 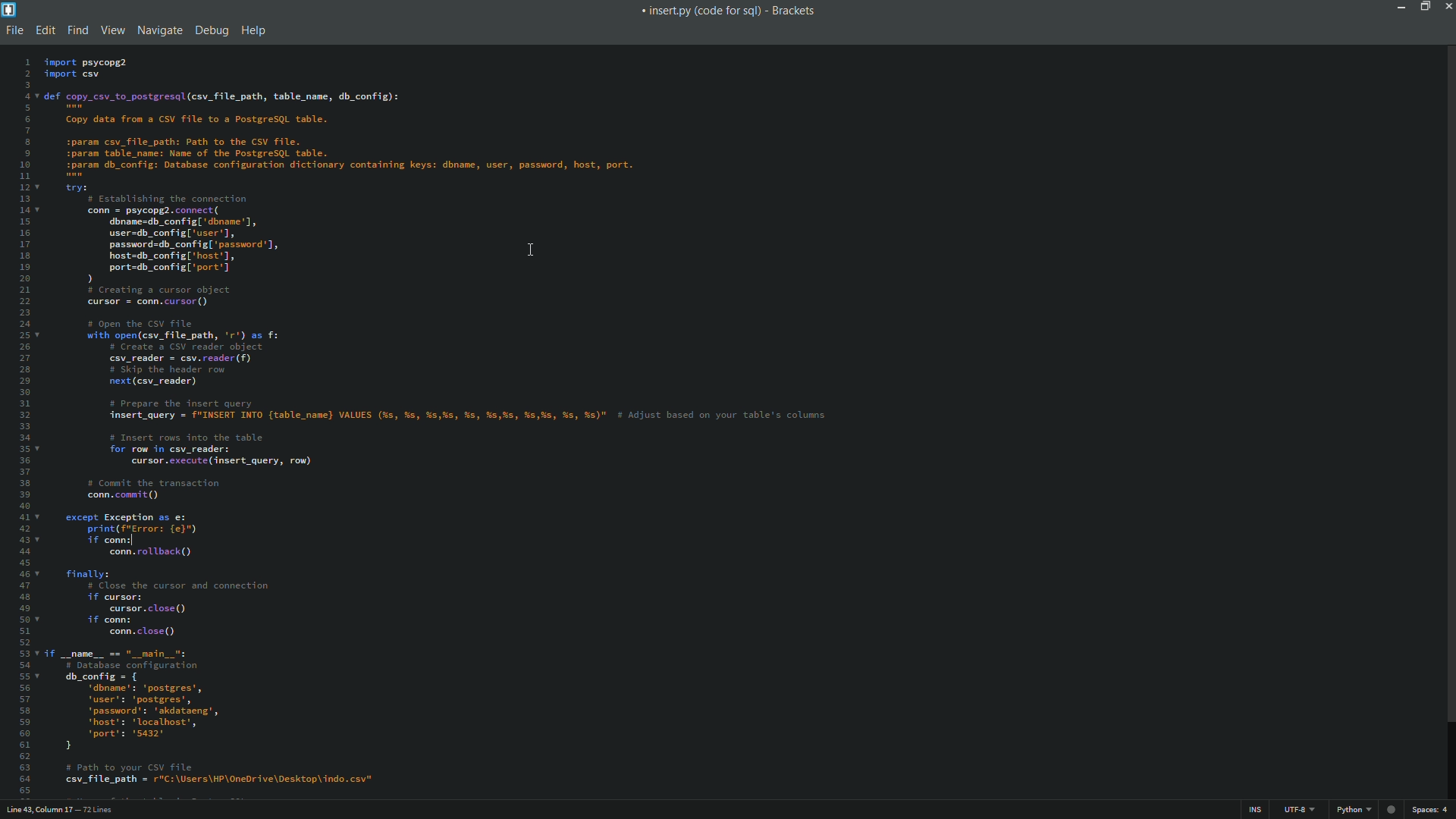 I want to click on maximize, so click(x=1422, y=6).